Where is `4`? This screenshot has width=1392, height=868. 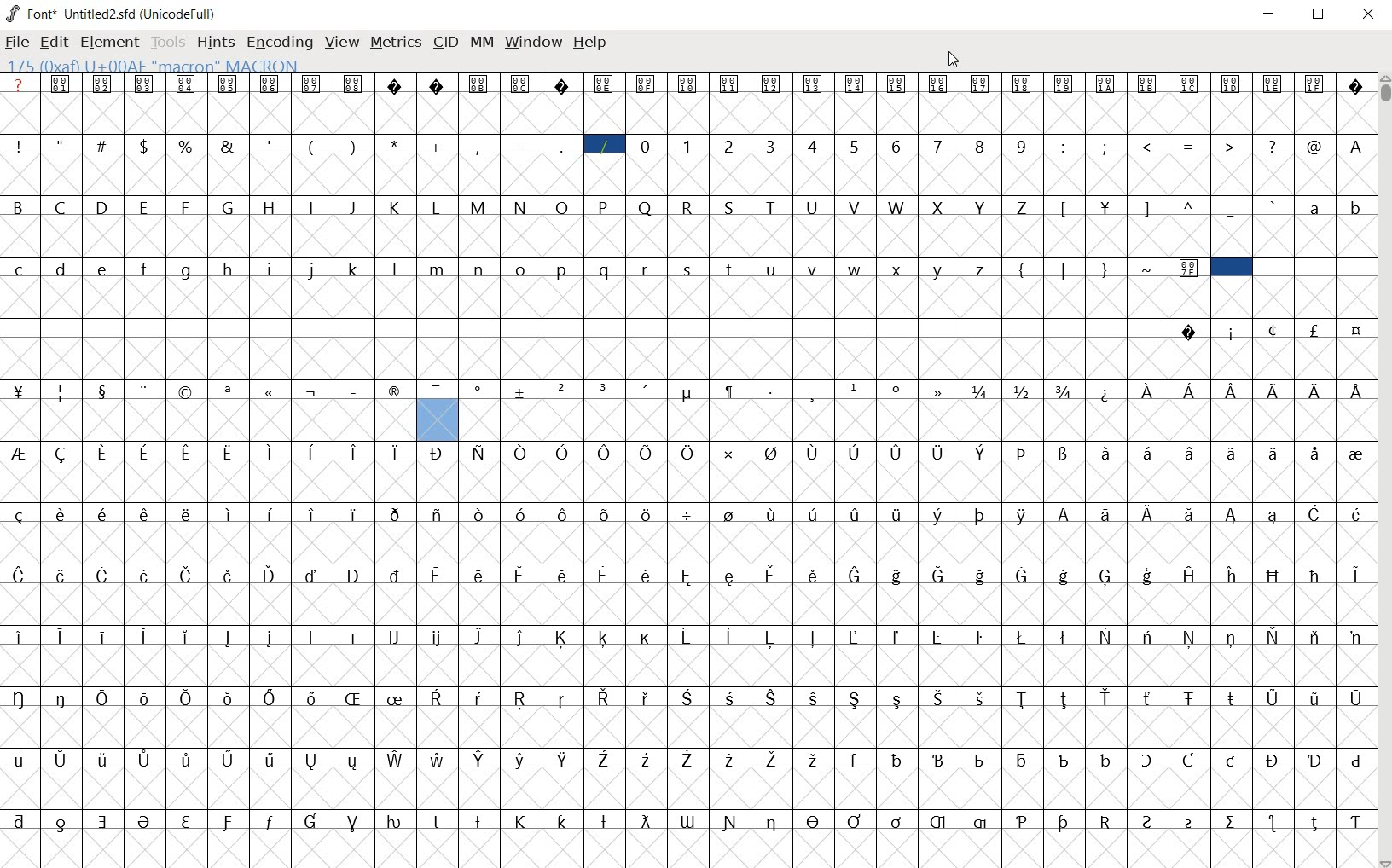 4 is located at coordinates (815, 147).